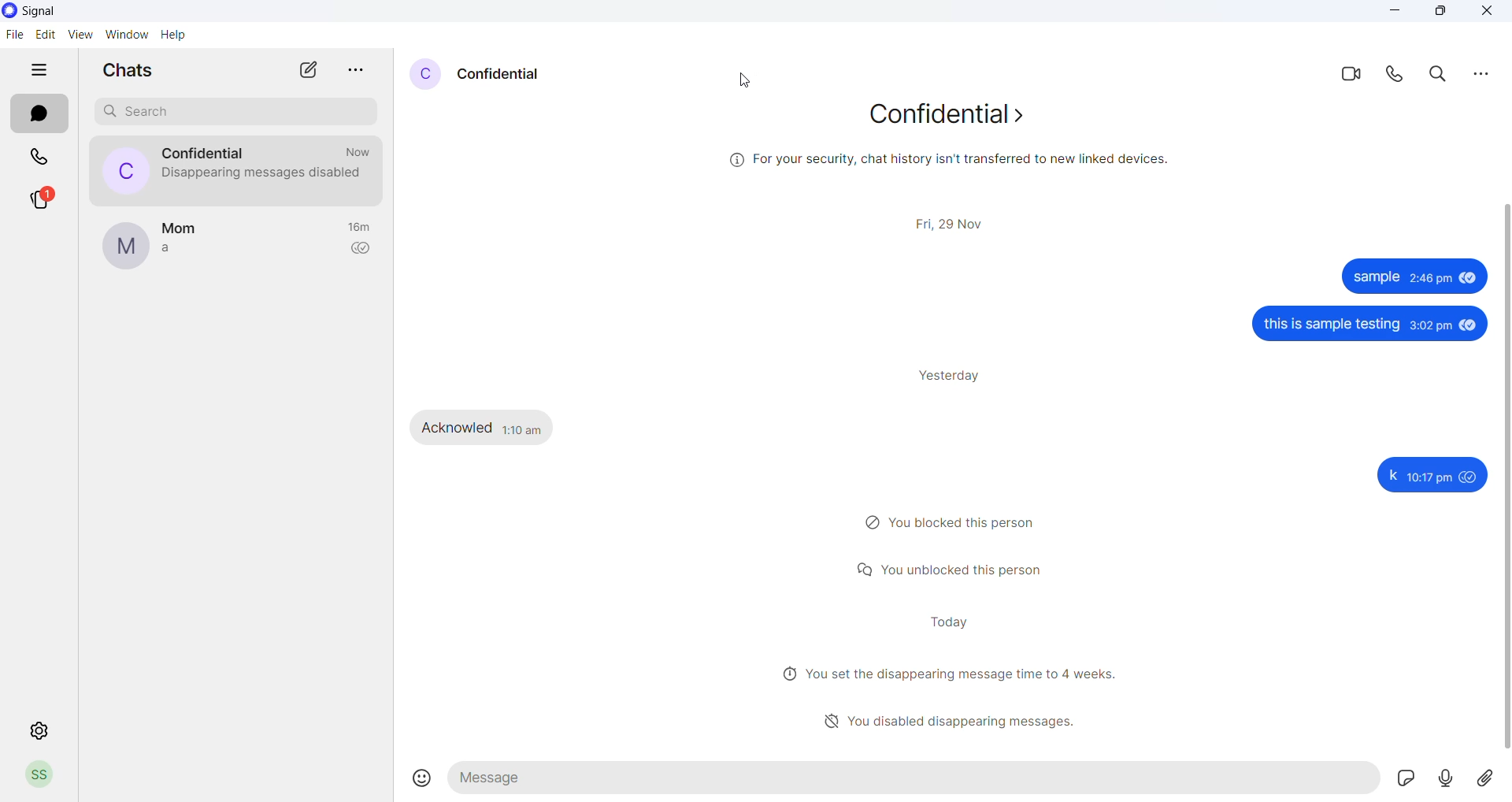 The image size is (1512, 802). What do you see at coordinates (129, 35) in the screenshot?
I see `window` at bounding box center [129, 35].